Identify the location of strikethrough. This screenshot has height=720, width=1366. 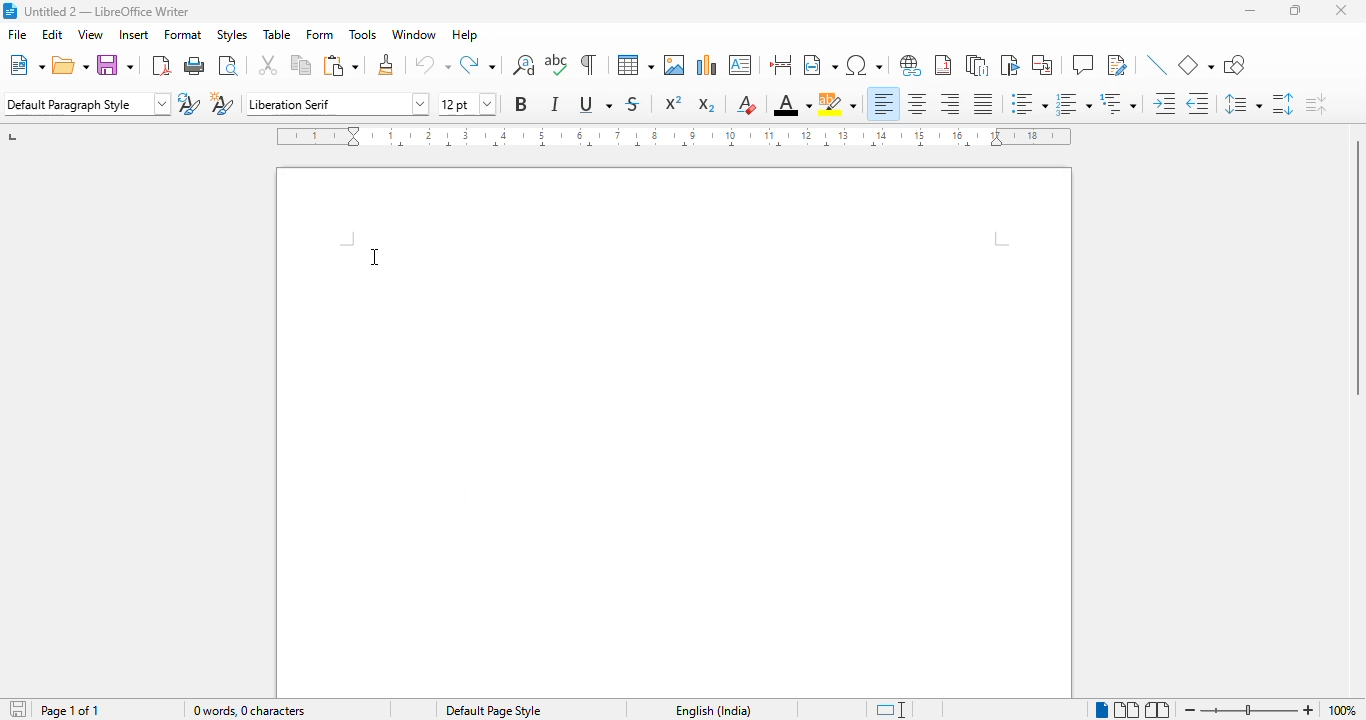
(633, 104).